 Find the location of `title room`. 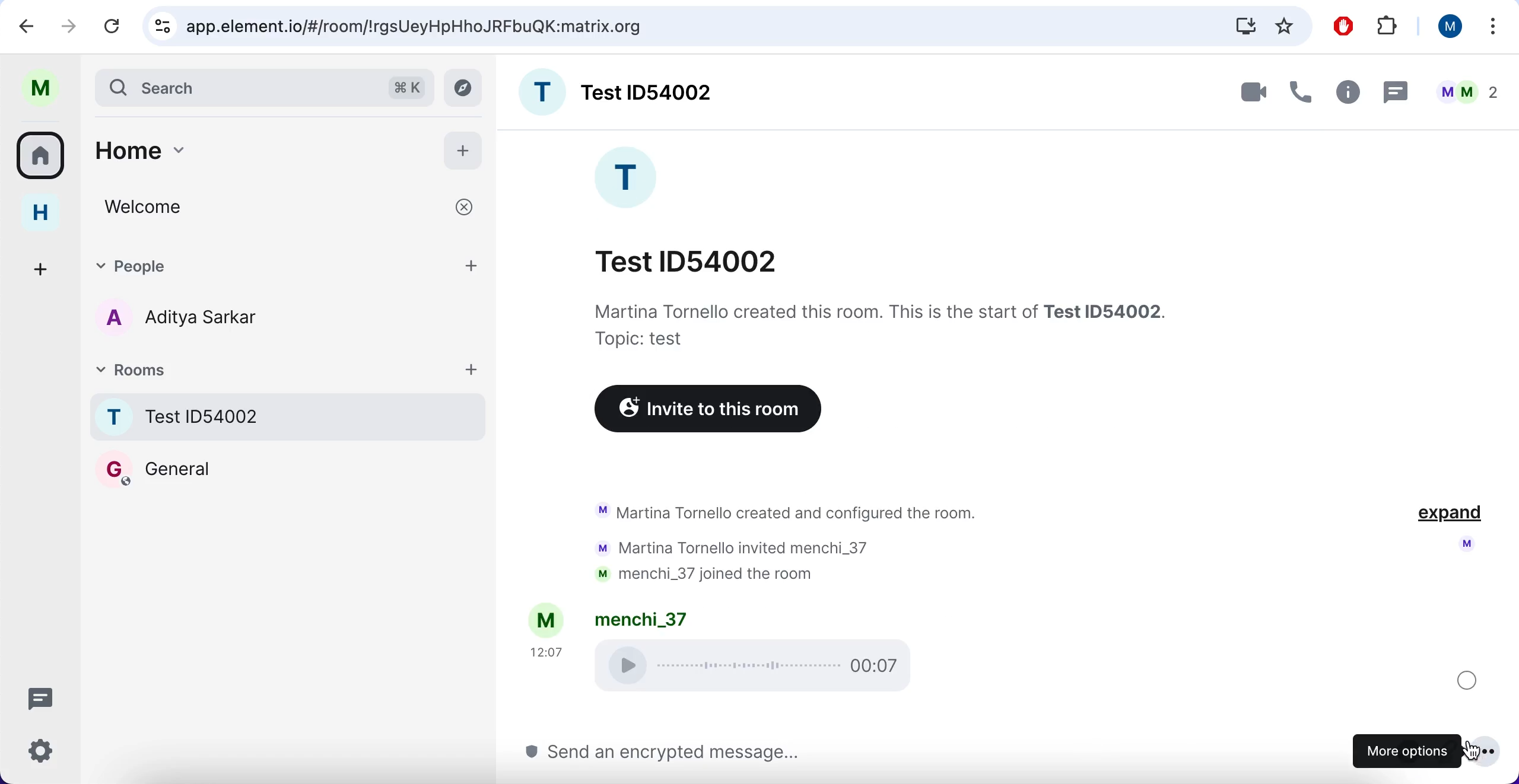

title room is located at coordinates (650, 92).